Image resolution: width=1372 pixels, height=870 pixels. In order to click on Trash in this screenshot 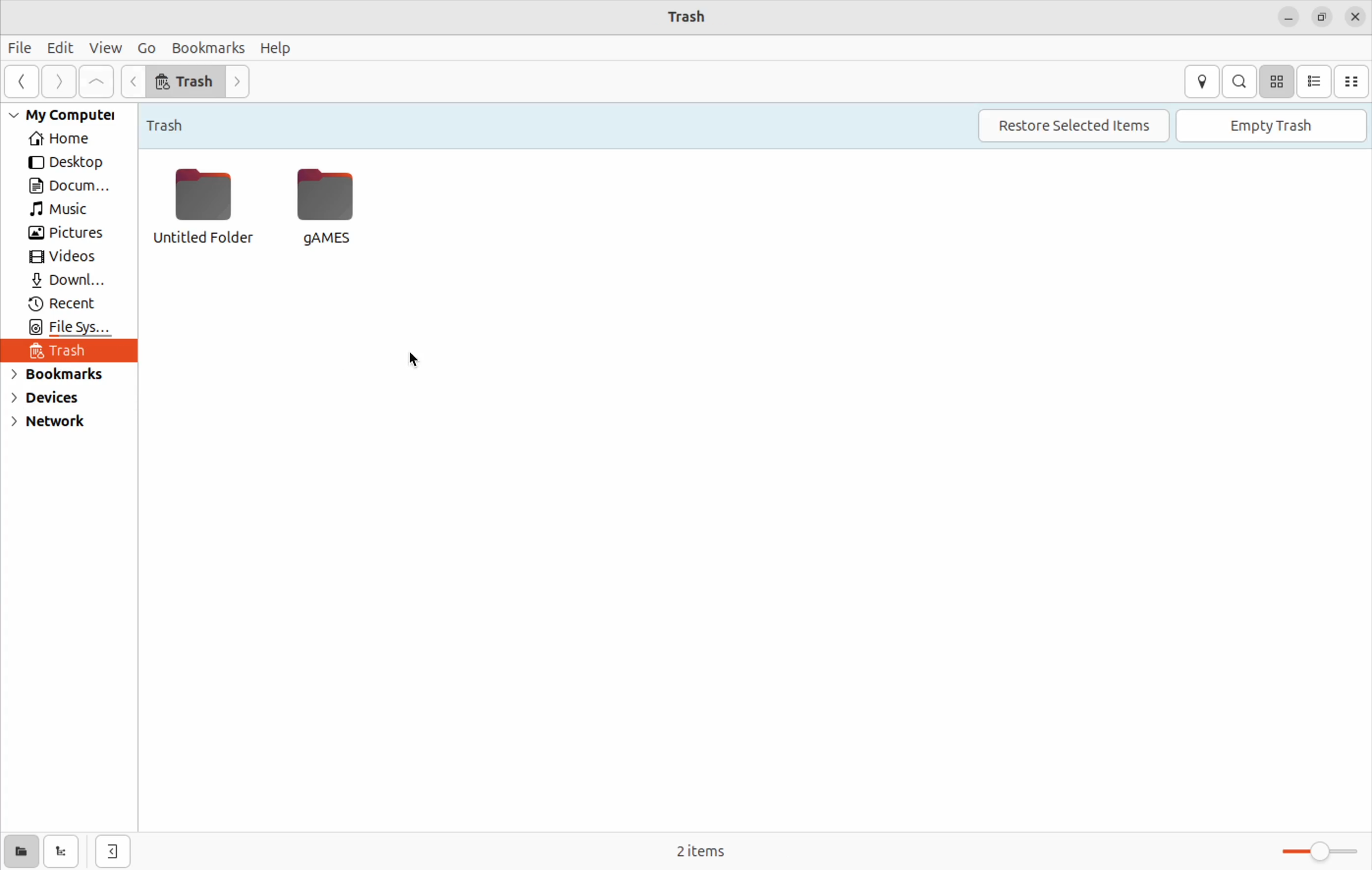, I will do `click(683, 15)`.